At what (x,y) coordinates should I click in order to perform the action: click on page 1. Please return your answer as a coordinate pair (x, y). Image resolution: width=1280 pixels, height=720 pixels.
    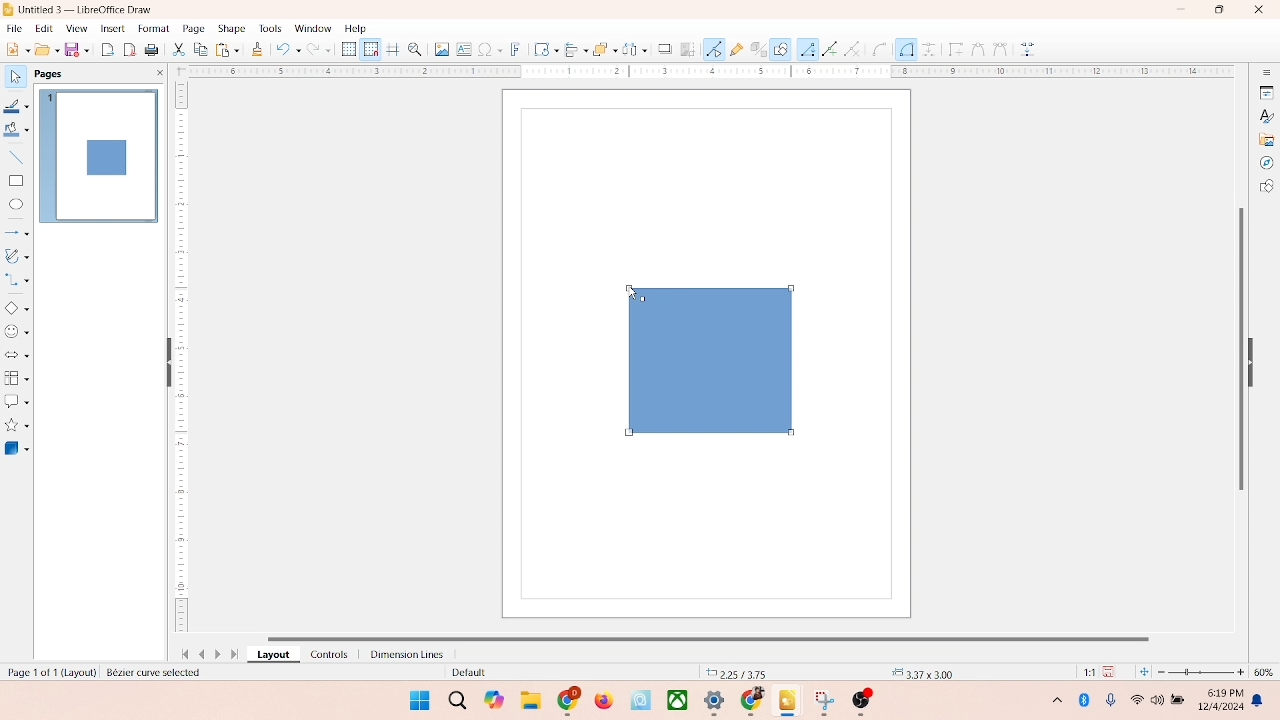
    Looking at the image, I should click on (99, 155).